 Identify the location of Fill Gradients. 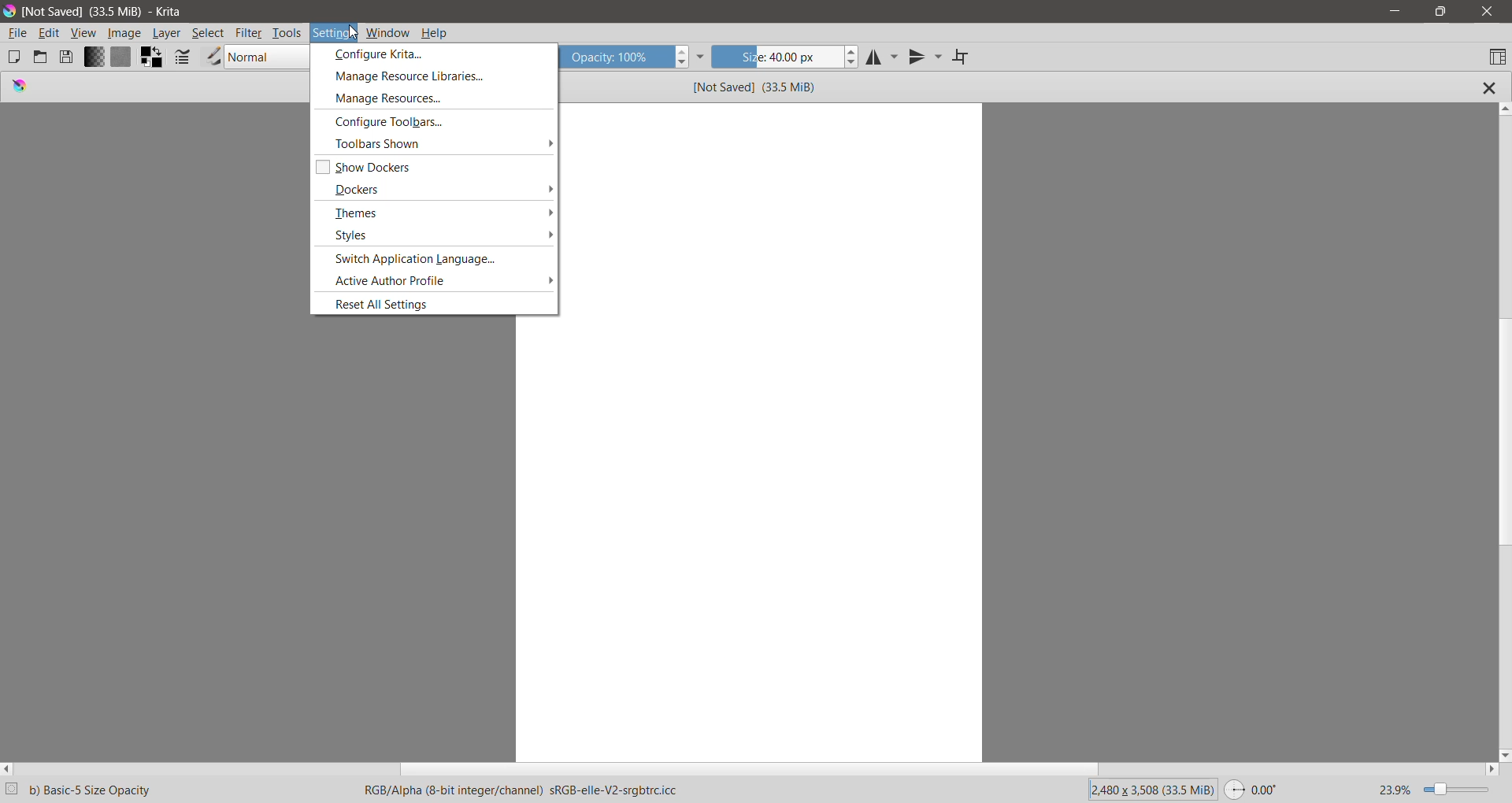
(94, 57).